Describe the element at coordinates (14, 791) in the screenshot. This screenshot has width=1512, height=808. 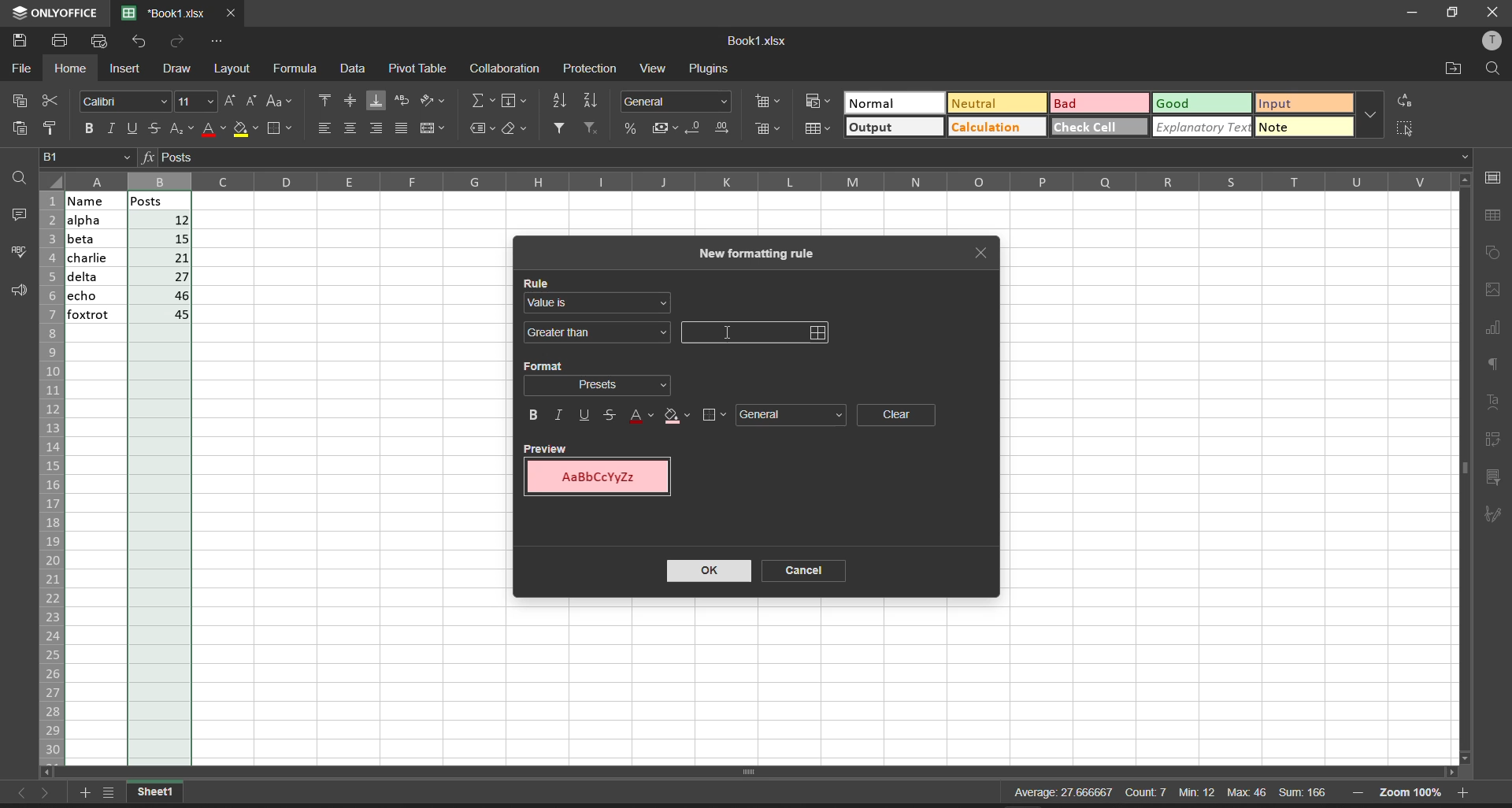
I see `move to the sheet left` at that location.